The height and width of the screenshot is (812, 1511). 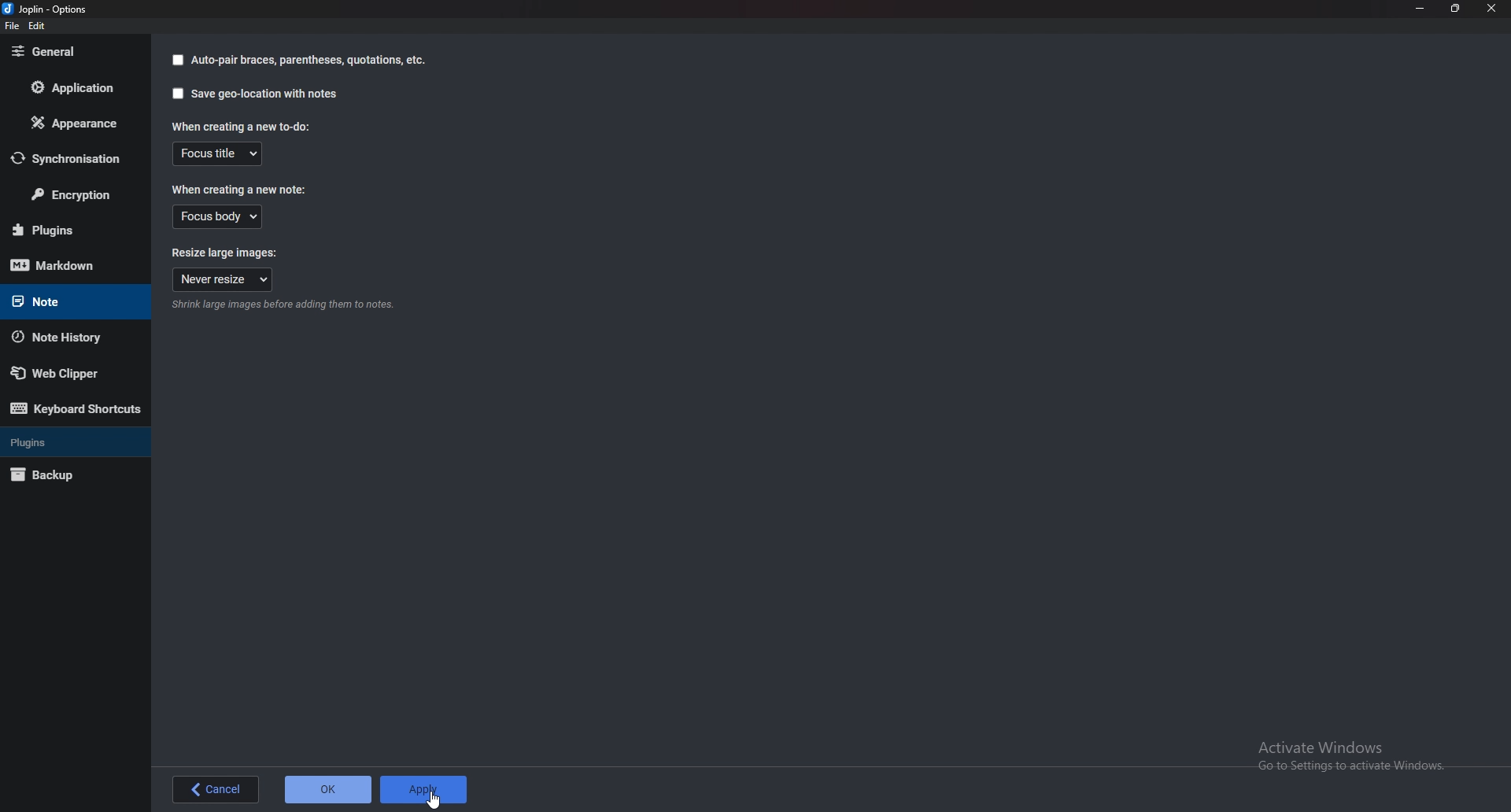 I want to click on Keyboard shortcuts, so click(x=74, y=410).